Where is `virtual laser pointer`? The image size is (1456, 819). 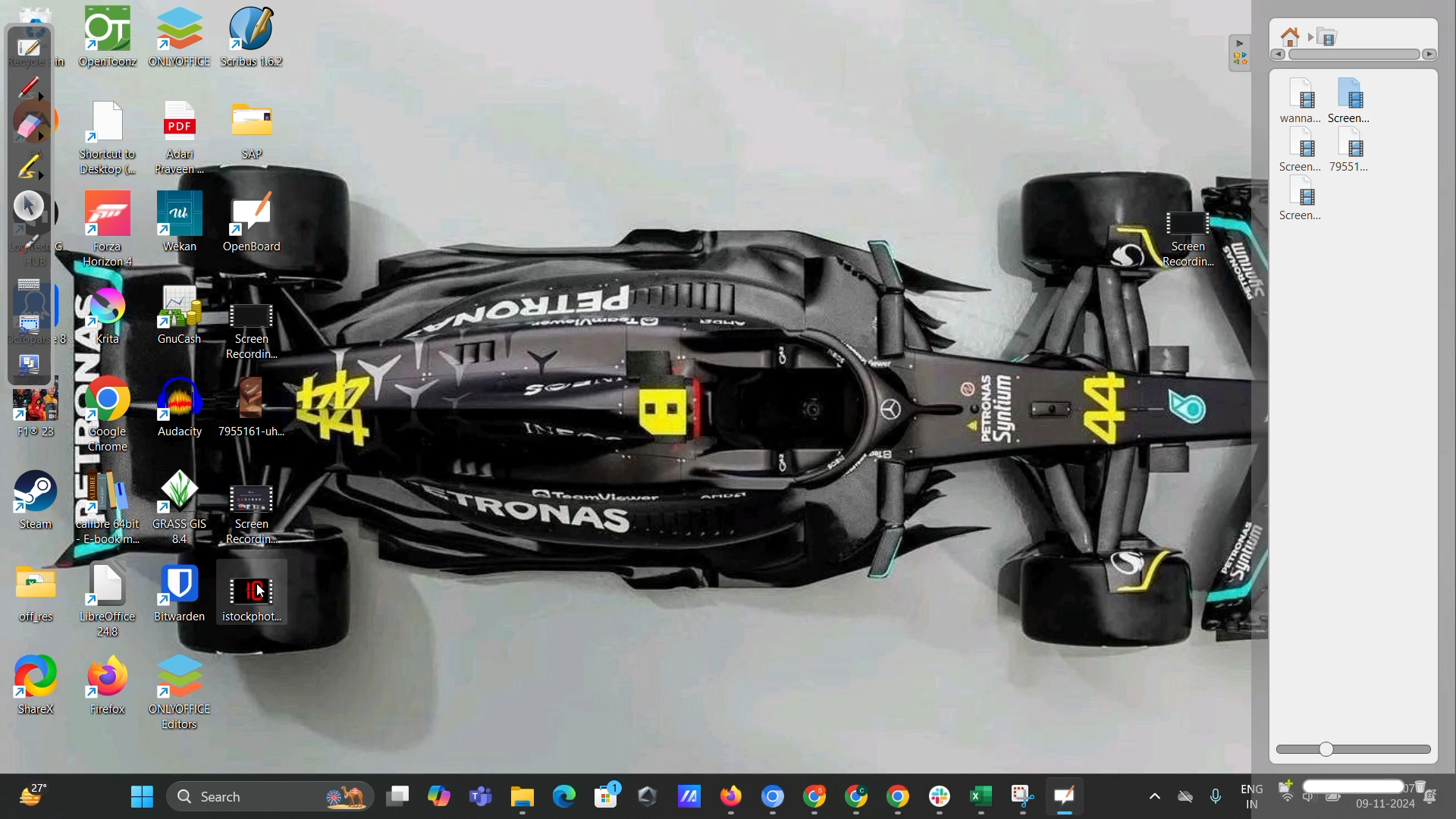 virtual laser pointer is located at coordinates (32, 246).